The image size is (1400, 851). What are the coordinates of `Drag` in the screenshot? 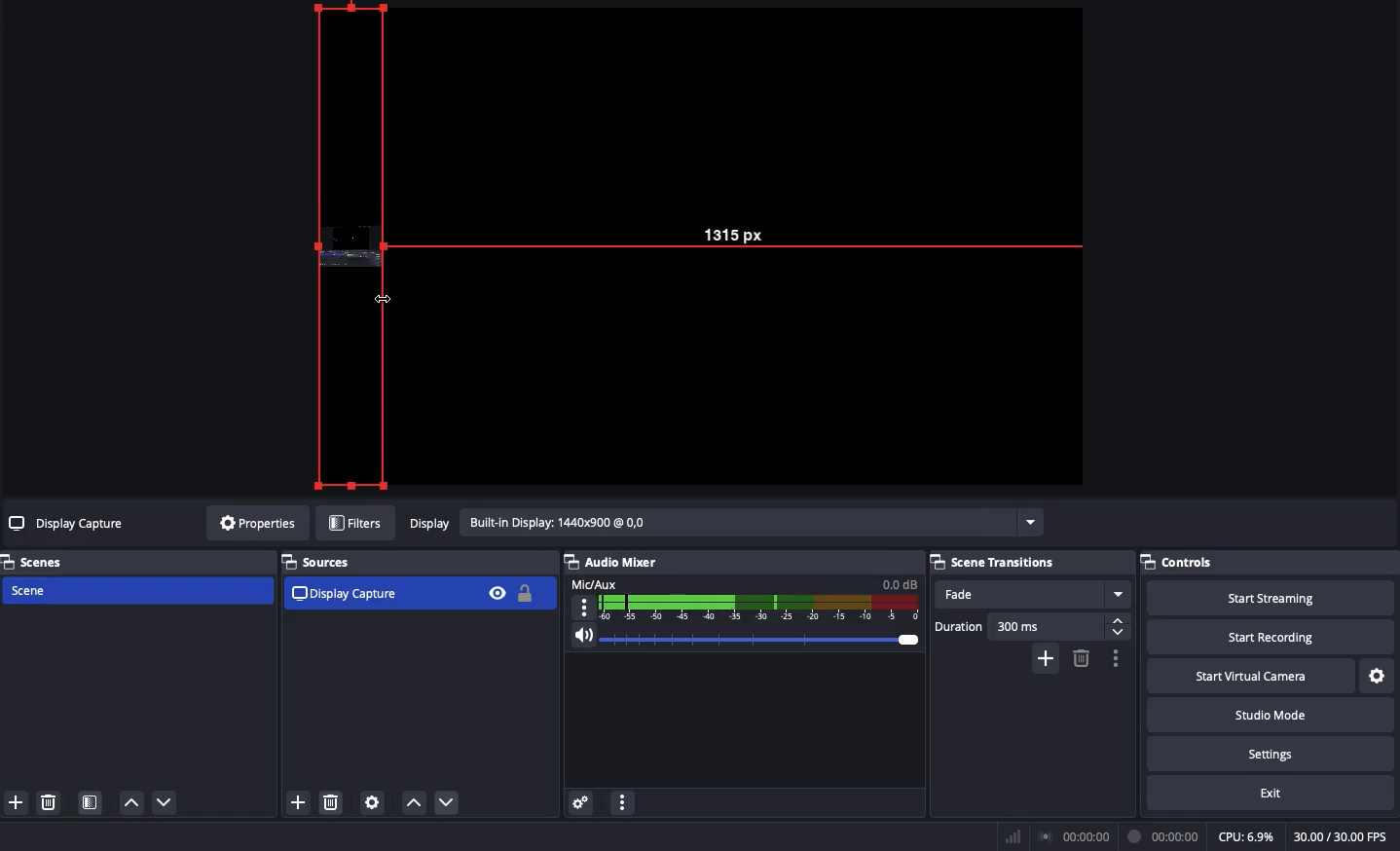 It's located at (350, 246).